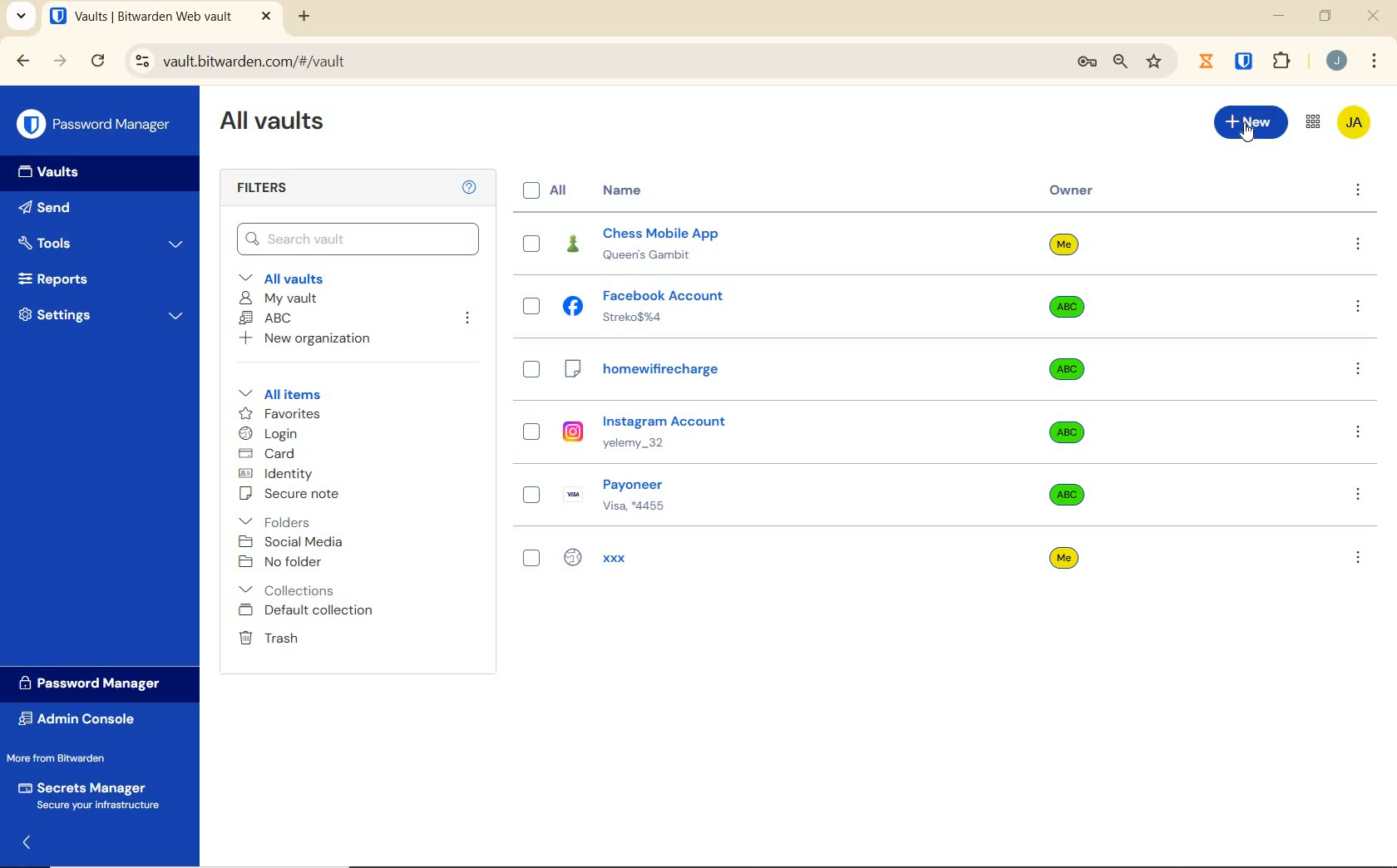 This screenshot has height=868, width=1397. What do you see at coordinates (283, 298) in the screenshot?
I see `My Vault` at bounding box center [283, 298].